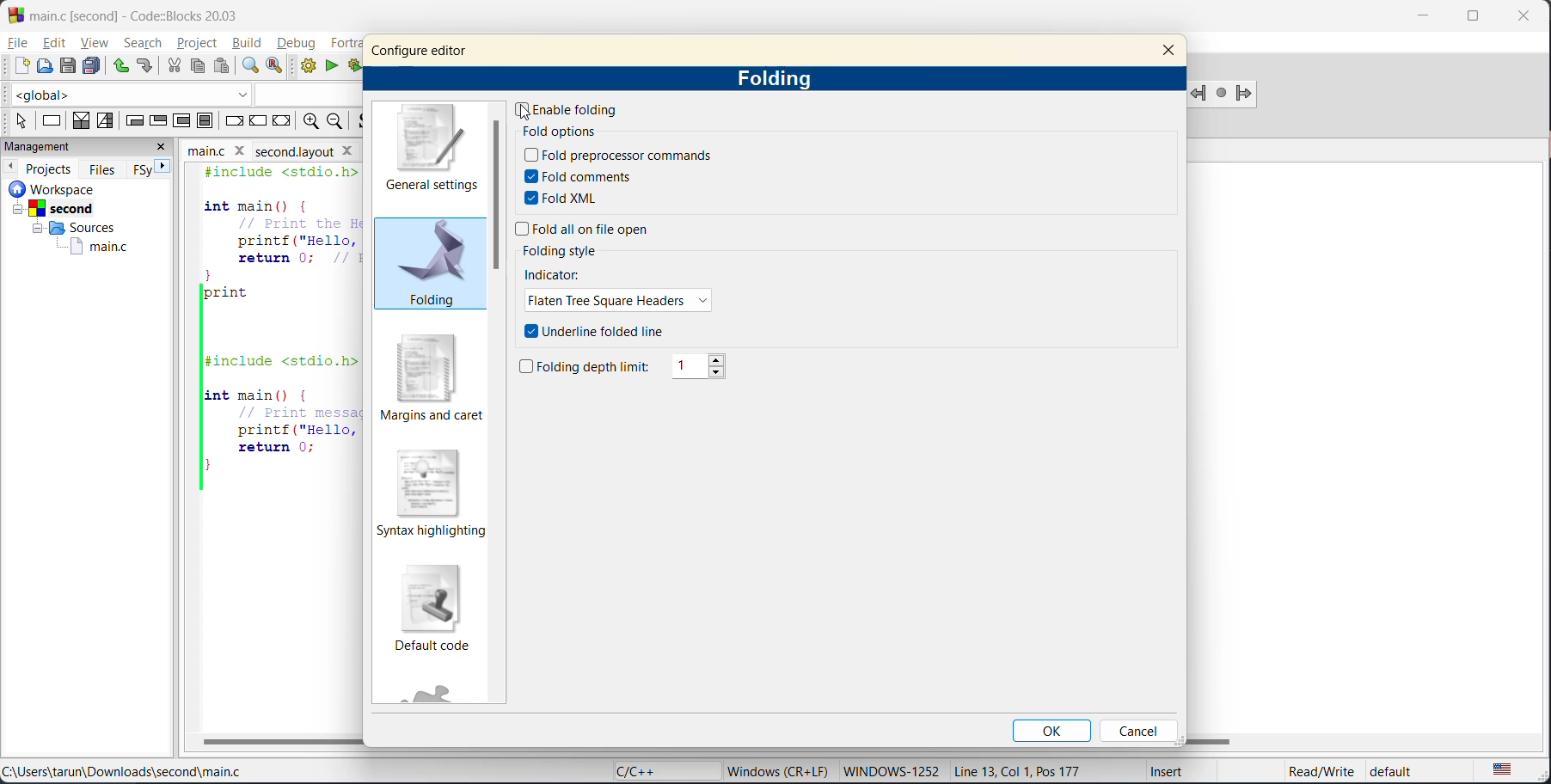  Describe the element at coordinates (70, 228) in the screenshot. I see `Sources` at that location.